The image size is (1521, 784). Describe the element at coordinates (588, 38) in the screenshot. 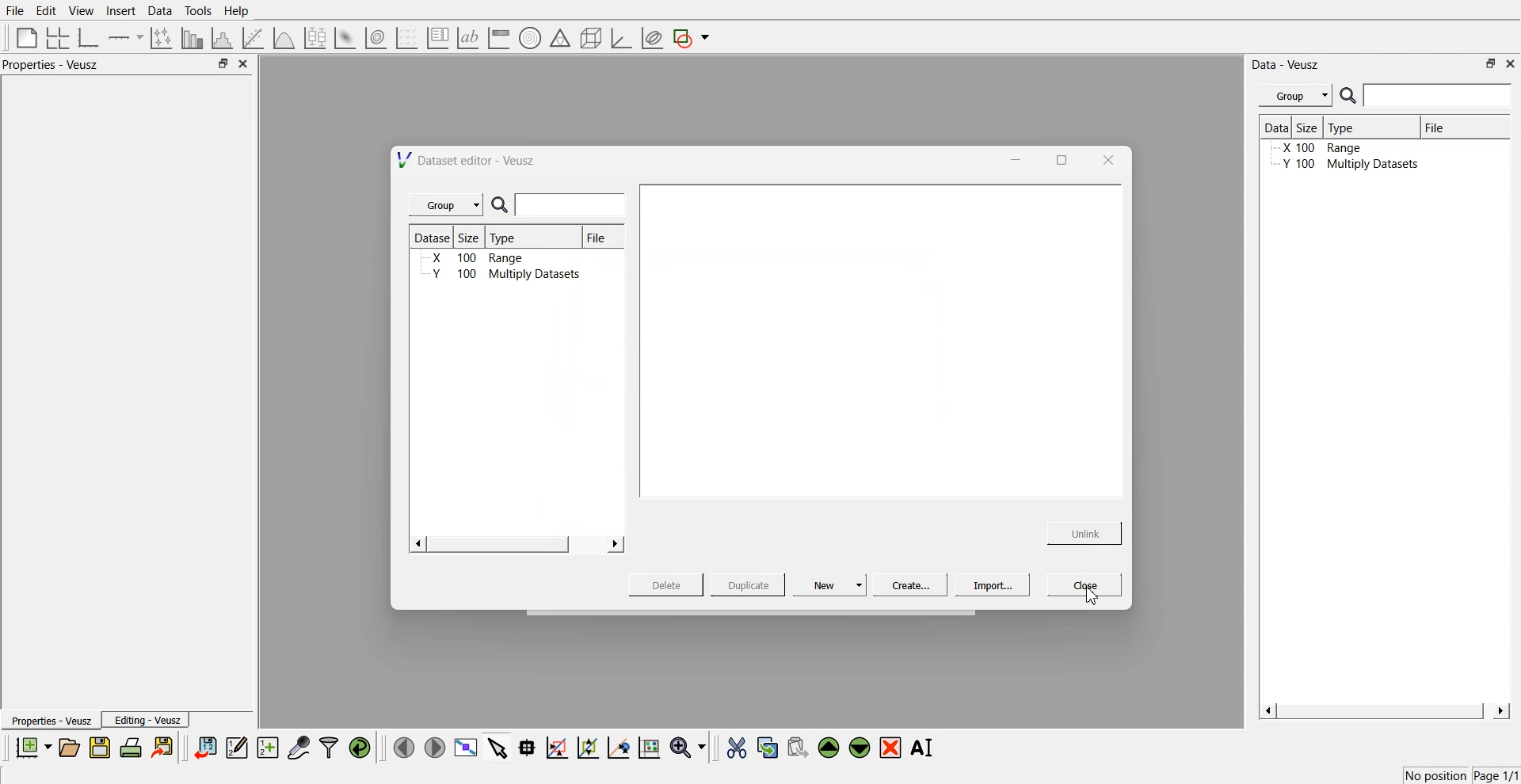

I see `3d shapes` at that location.